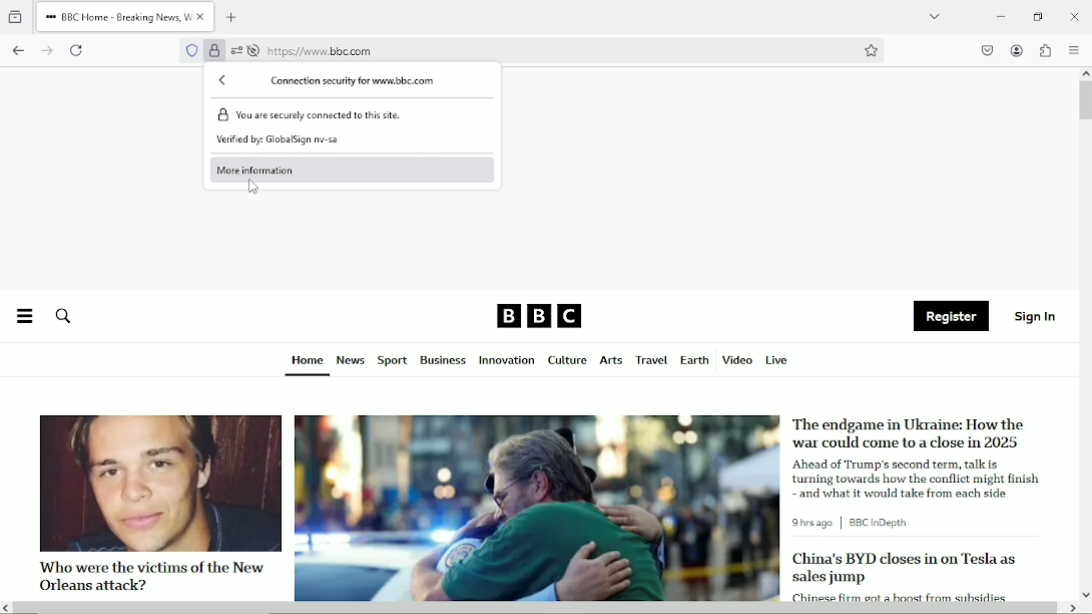 The width and height of the screenshot is (1092, 614). Describe the element at coordinates (224, 80) in the screenshot. I see `back` at that location.